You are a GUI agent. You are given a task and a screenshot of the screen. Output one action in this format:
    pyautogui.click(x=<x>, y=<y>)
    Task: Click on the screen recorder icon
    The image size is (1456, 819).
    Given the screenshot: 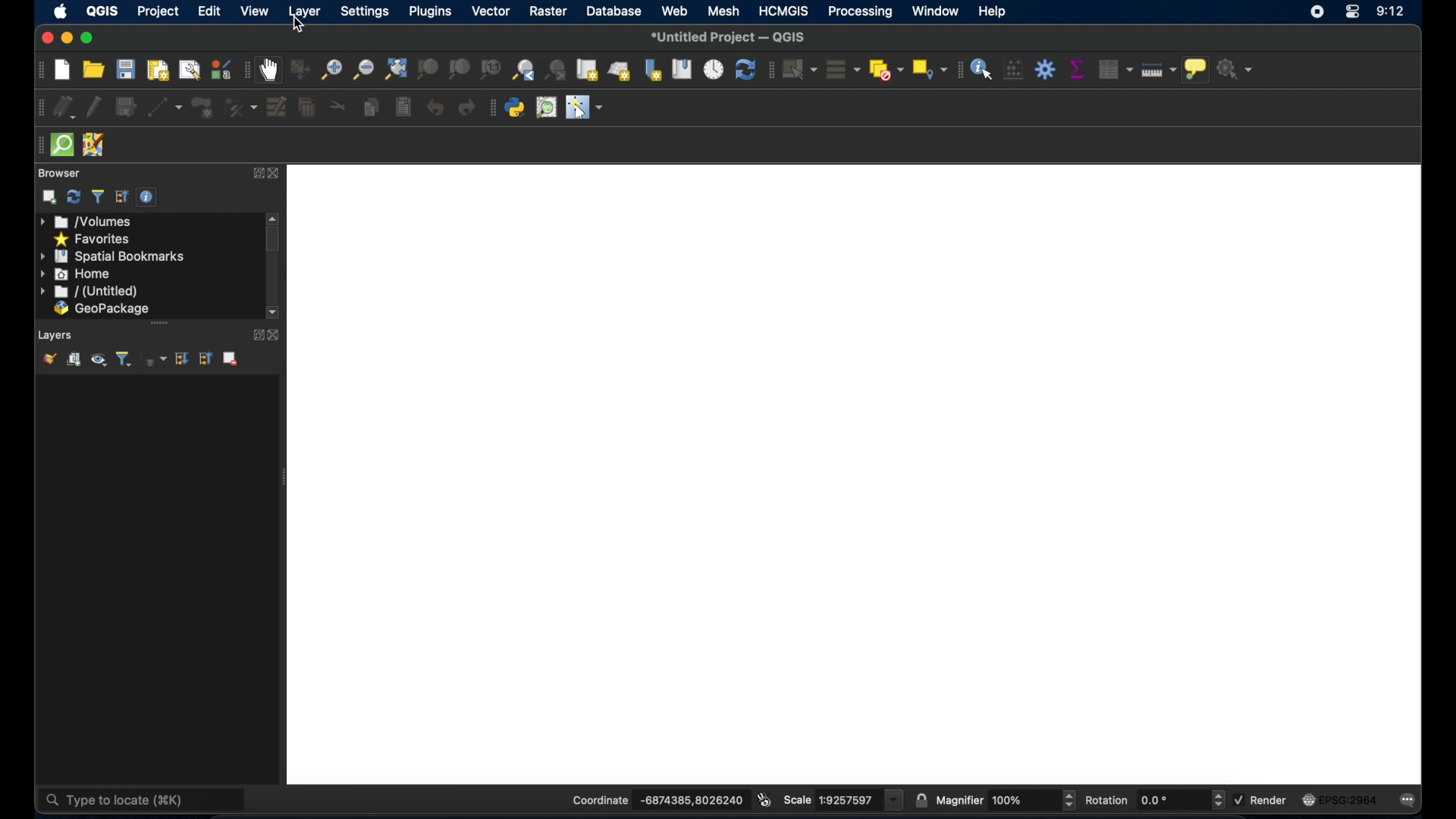 What is the action you would take?
    pyautogui.click(x=1317, y=11)
    